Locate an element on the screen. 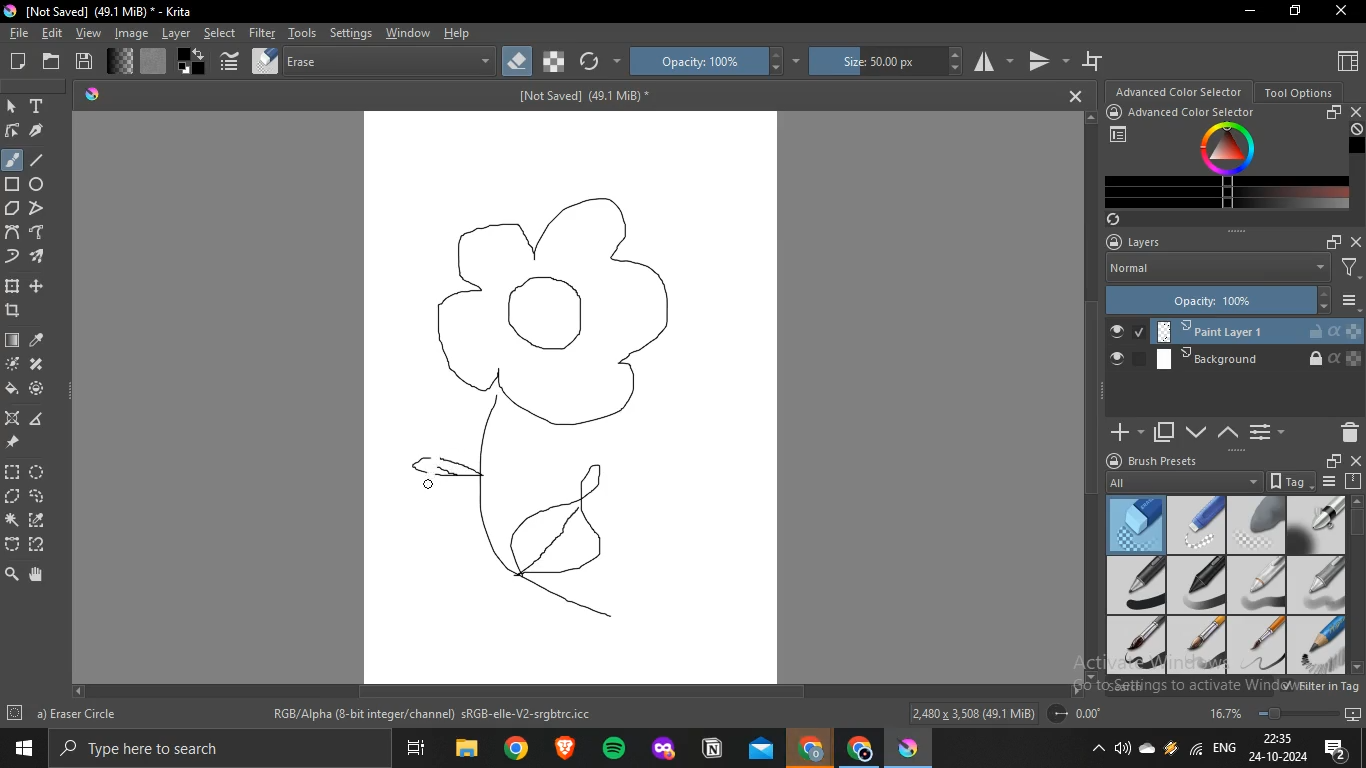 This screenshot has height=768, width=1366. blending mode is located at coordinates (390, 62).